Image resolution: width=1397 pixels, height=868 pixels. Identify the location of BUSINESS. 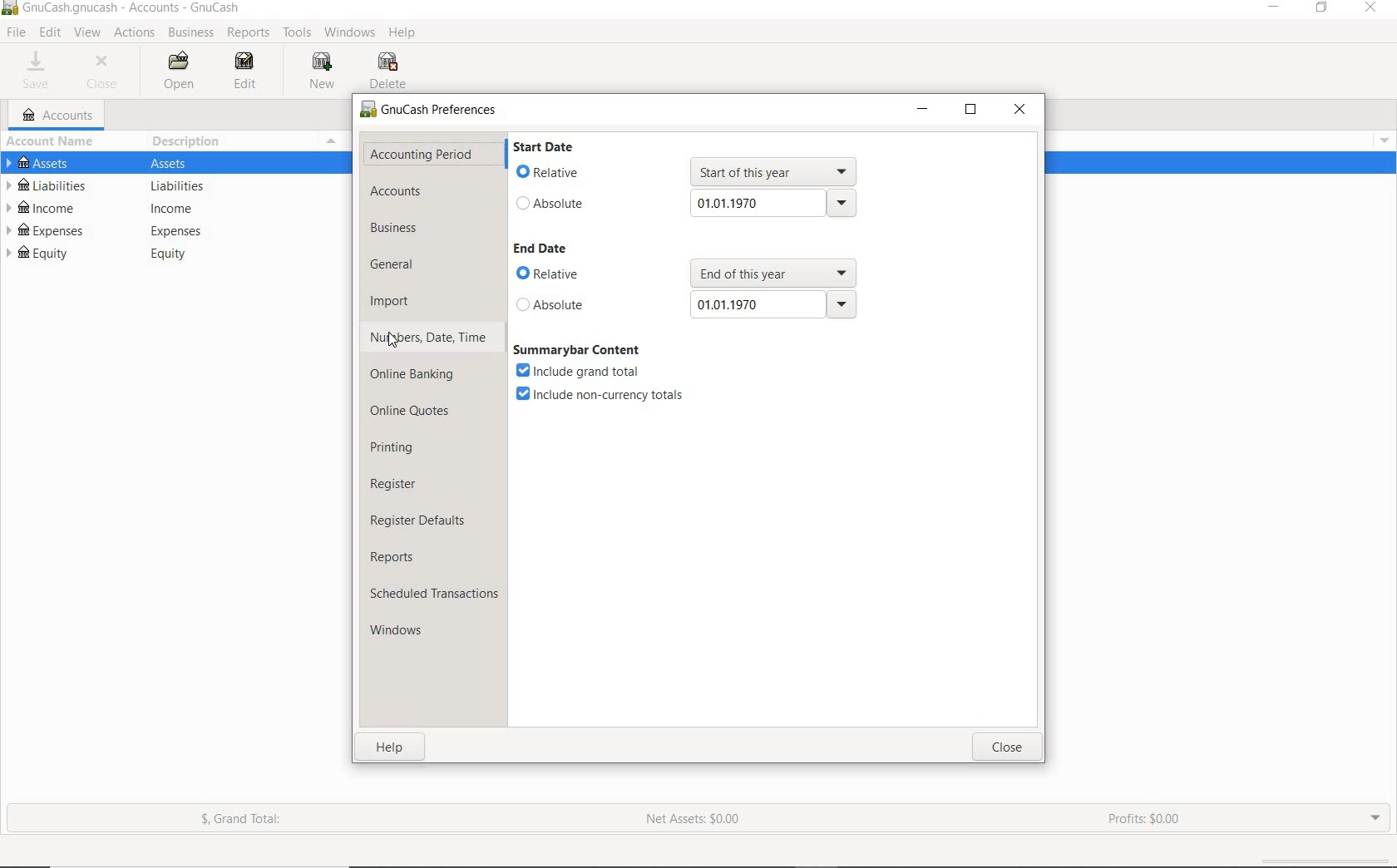
(192, 33).